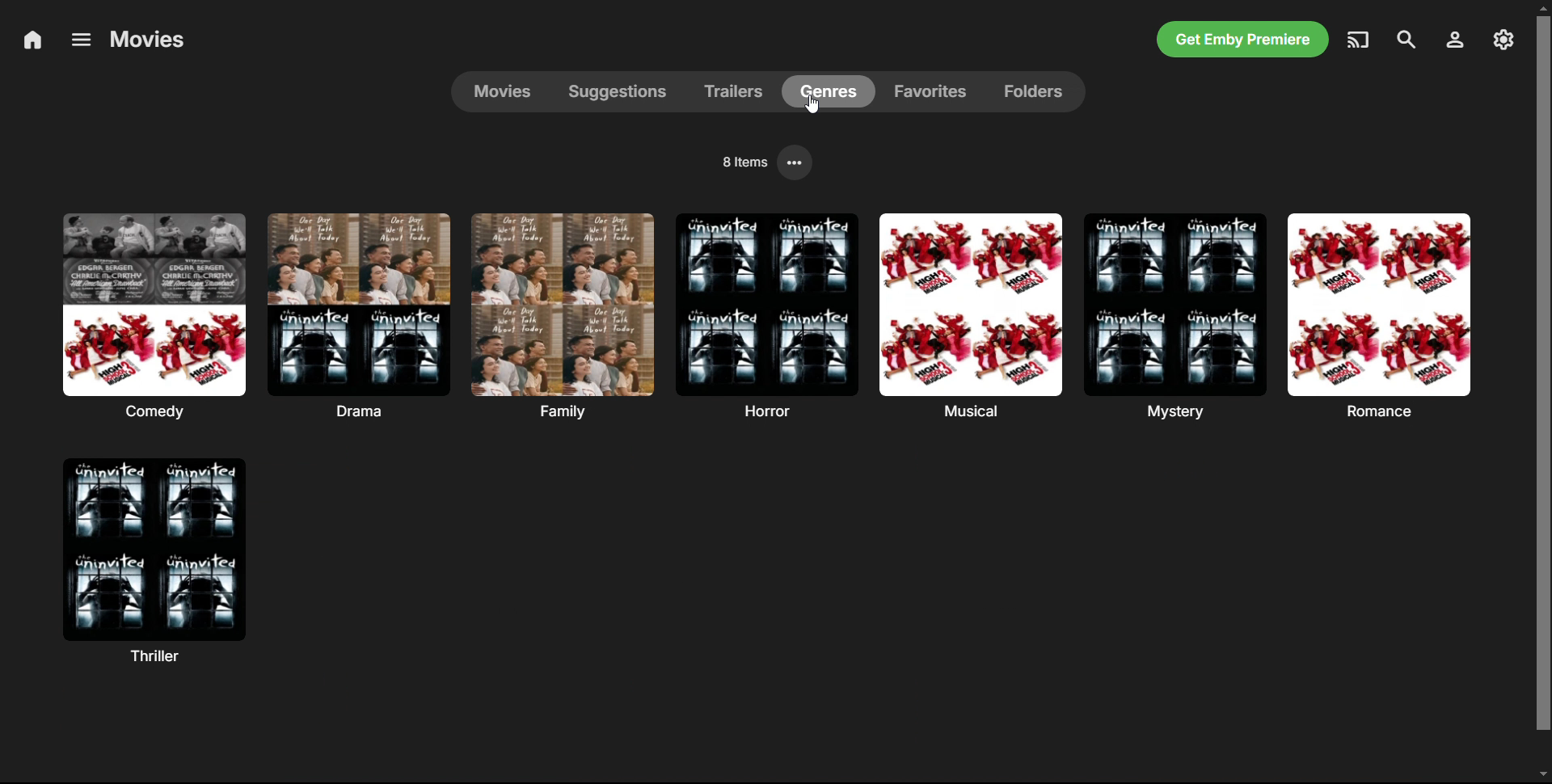 This screenshot has width=1552, height=784. I want to click on movies, so click(504, 91).